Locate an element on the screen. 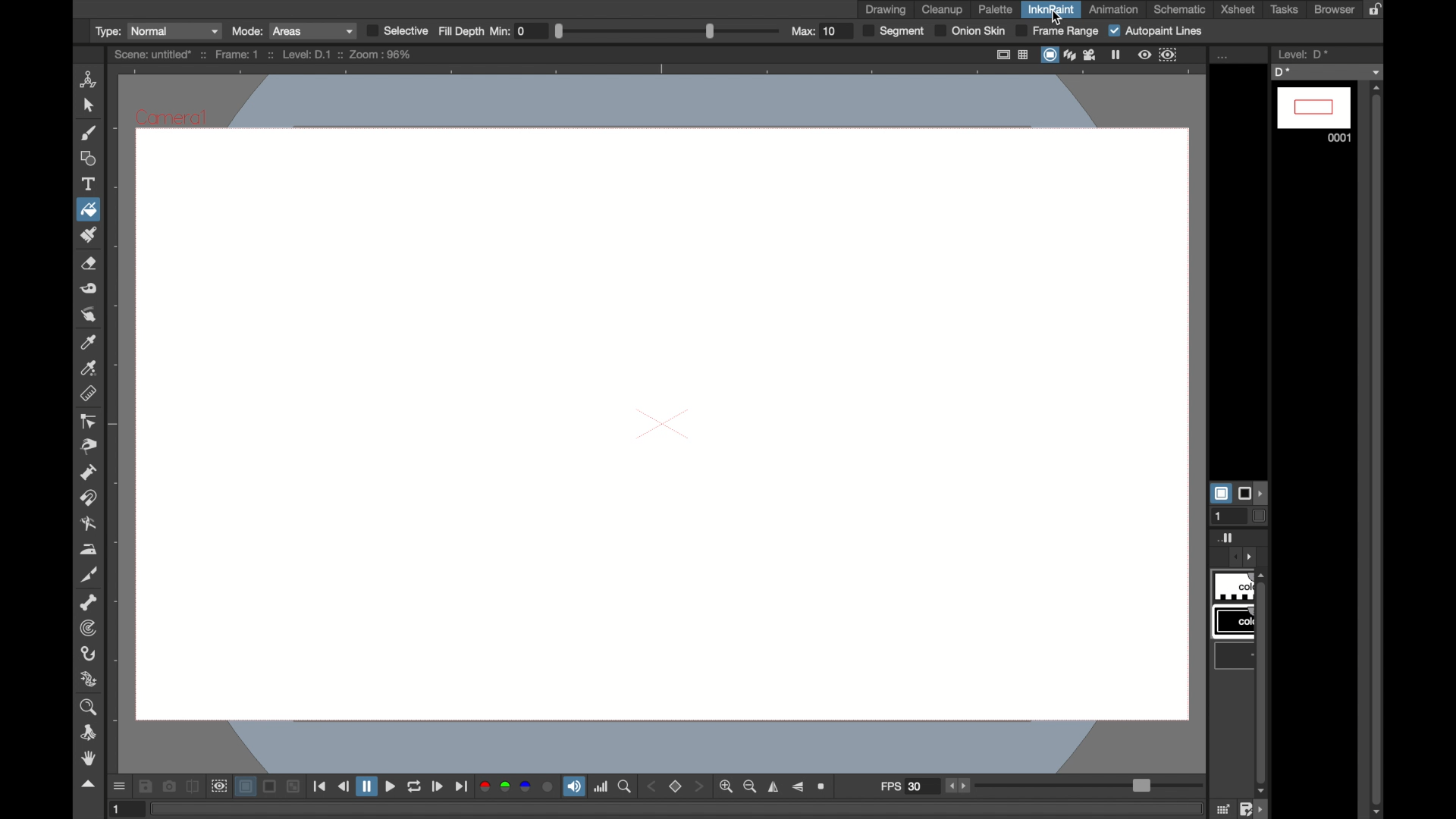 The height and width of the screenshot is (819, 1456). layer is located at coordinates (244, 788).